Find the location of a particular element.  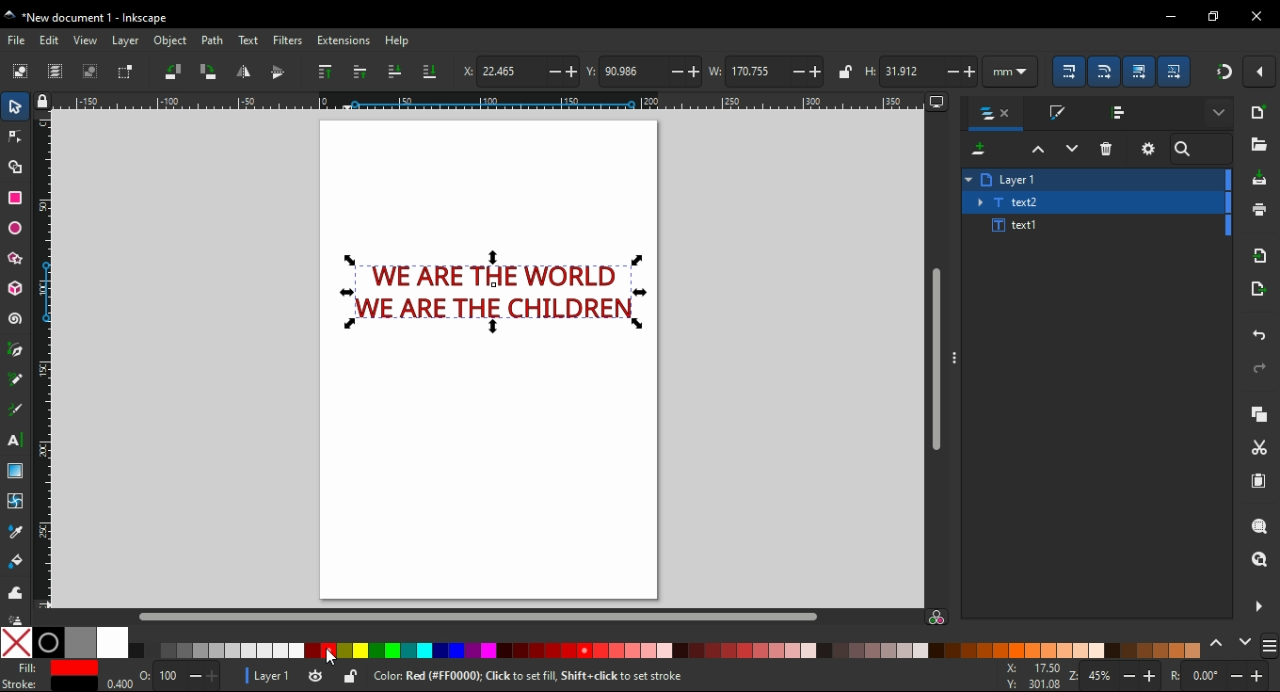

stroke and fill is located at coordinates (1057, 112).